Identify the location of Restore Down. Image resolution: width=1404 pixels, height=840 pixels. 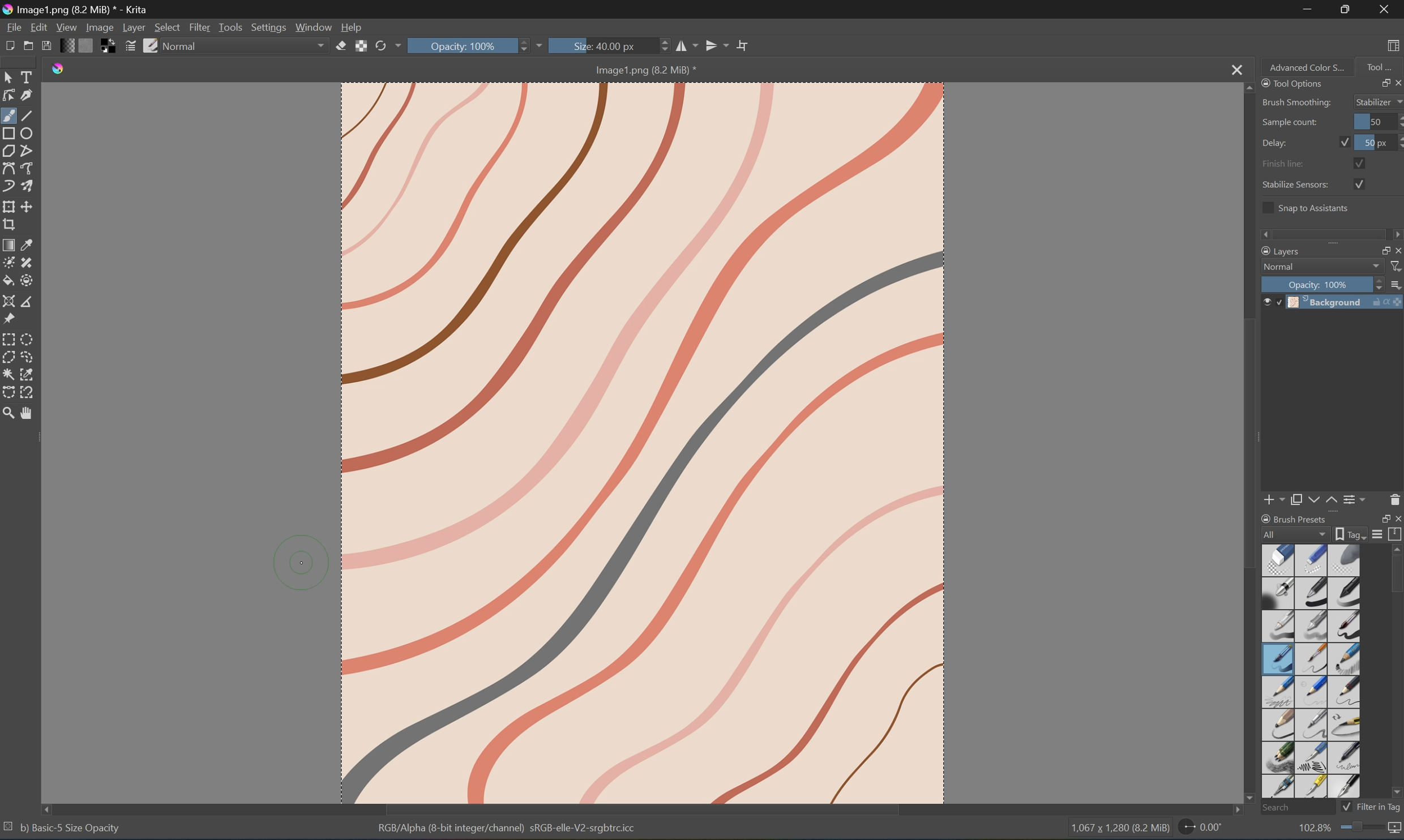
(1380, 518).